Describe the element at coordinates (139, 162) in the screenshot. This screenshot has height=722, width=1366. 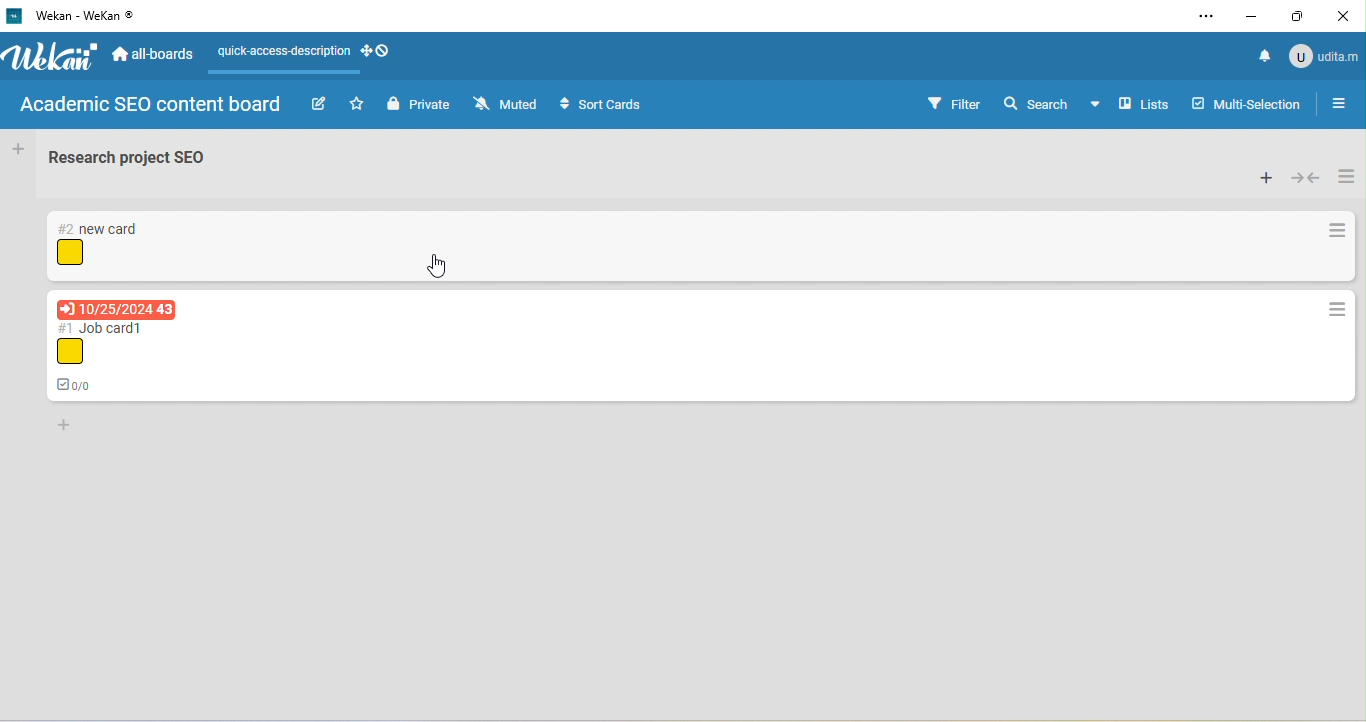
I see `list name: research project SEO` at that location.